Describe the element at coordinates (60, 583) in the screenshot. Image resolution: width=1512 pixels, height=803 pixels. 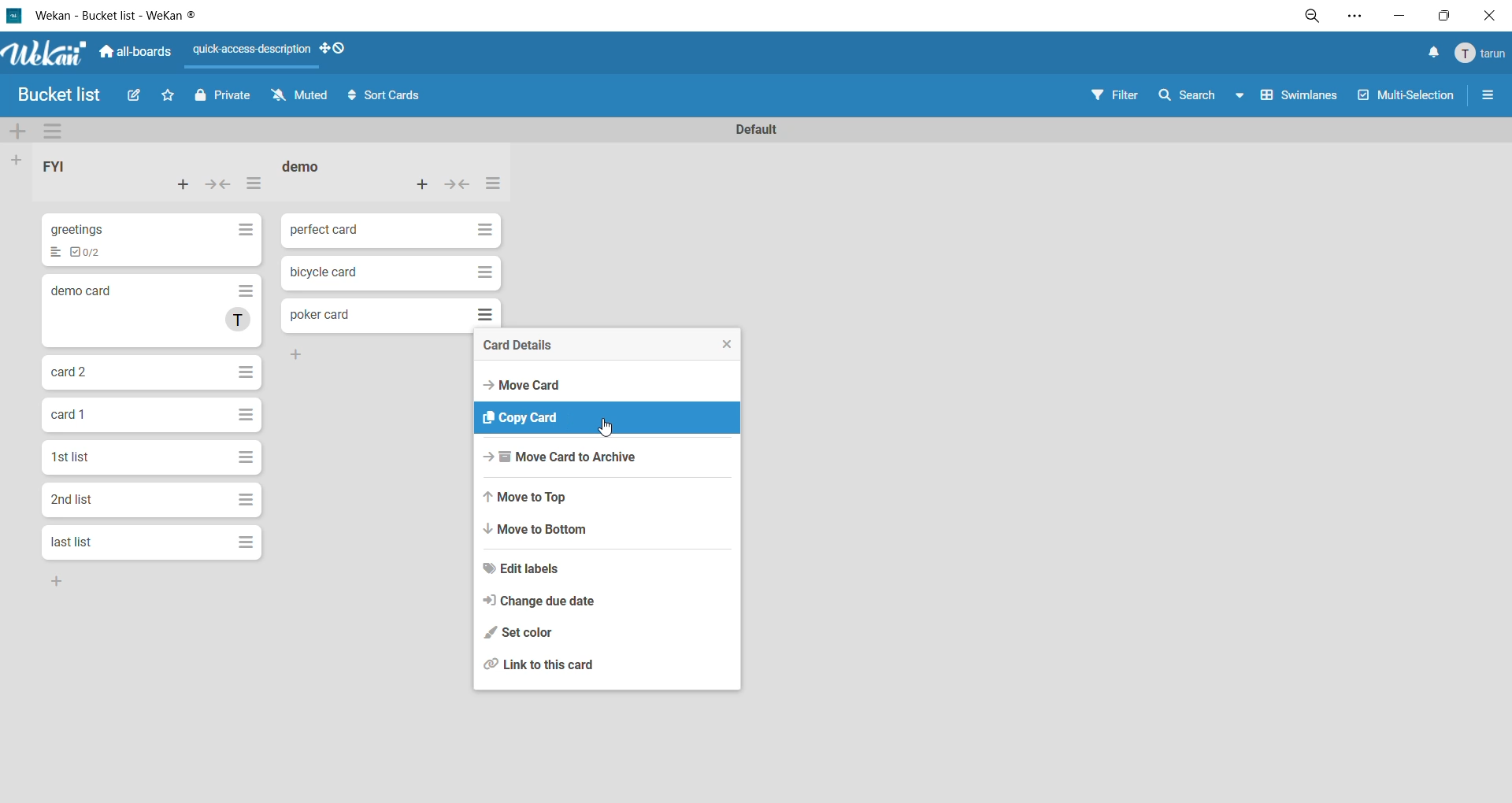
I see `Add button` at that location.